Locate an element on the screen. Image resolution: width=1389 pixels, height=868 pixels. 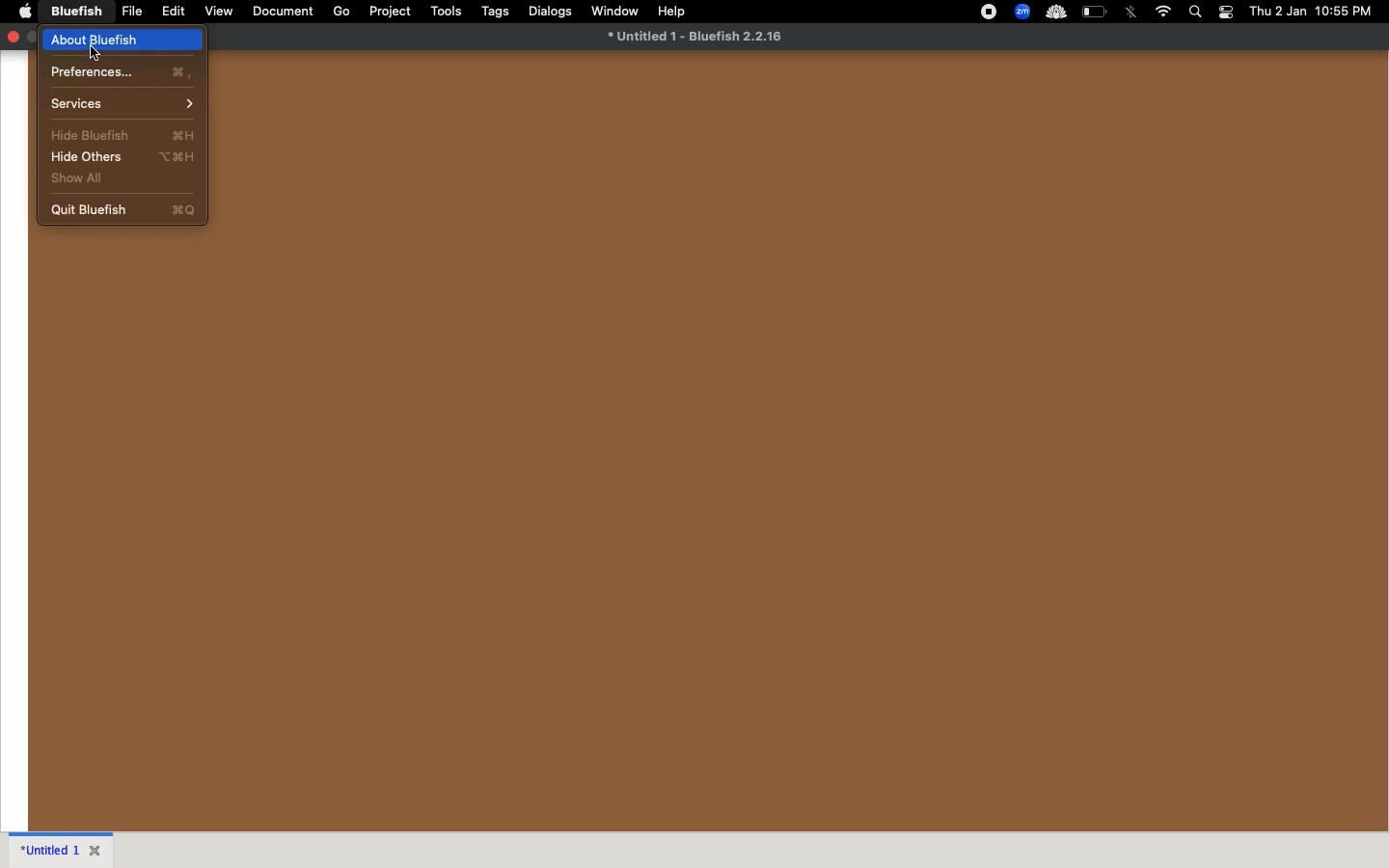
charge is located at coordinates (1096, 11).